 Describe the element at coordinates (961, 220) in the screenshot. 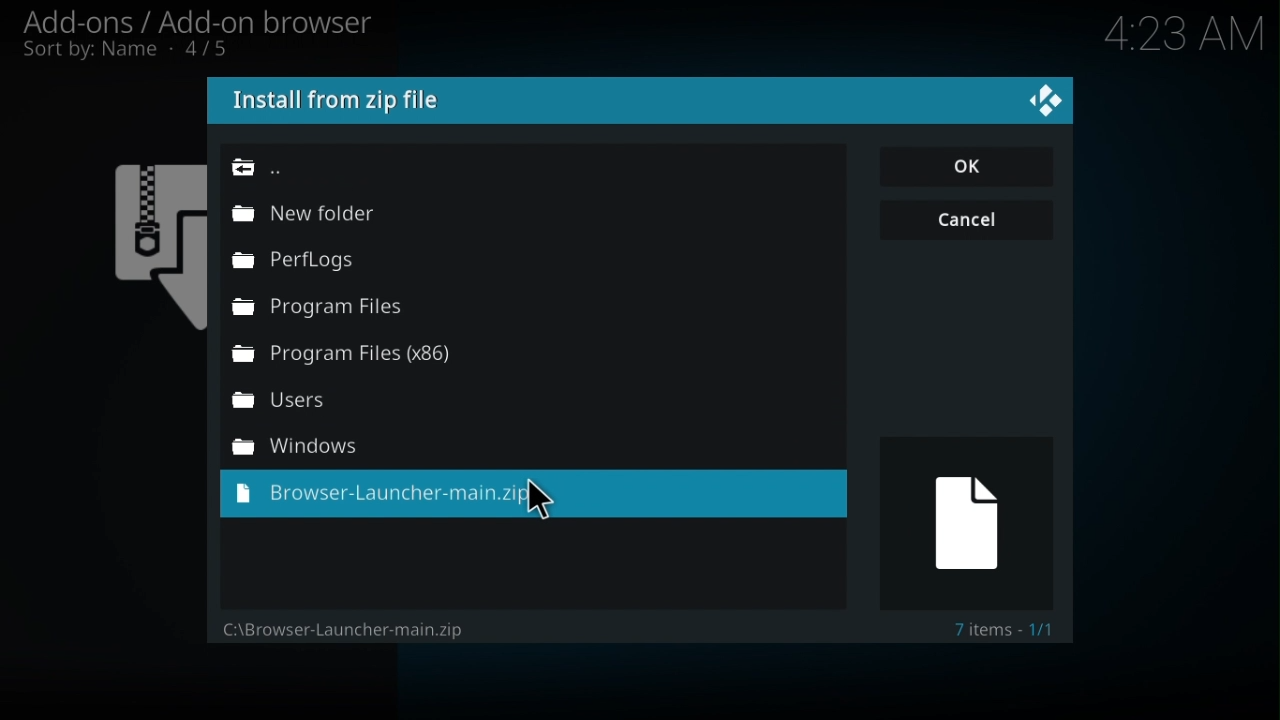

I see `cancel` at that location.